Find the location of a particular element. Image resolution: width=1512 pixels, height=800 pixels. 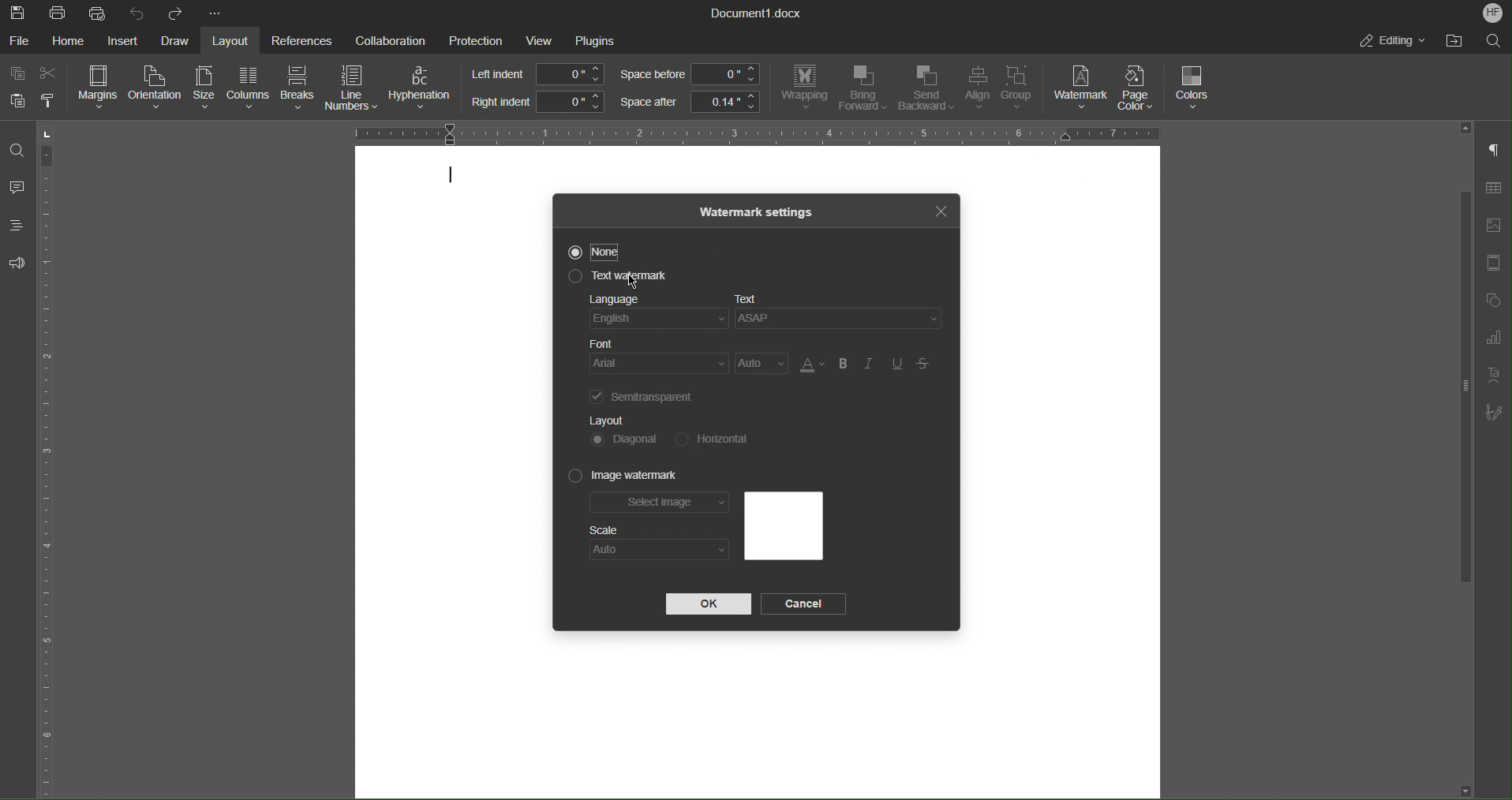

Graph Settings is located at coordinates (1493, 341).